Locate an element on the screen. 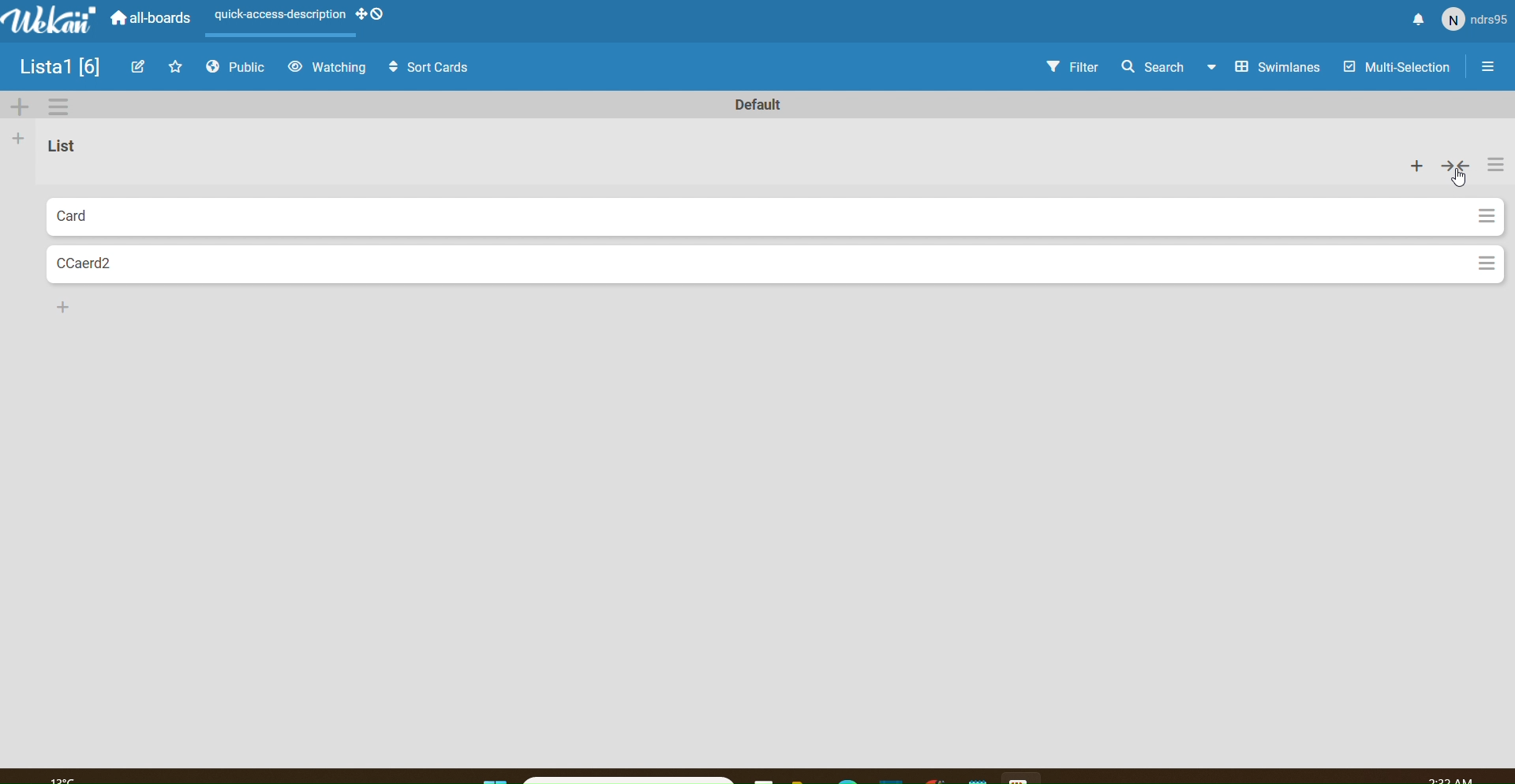  Add is located at coordinates (73, 308).